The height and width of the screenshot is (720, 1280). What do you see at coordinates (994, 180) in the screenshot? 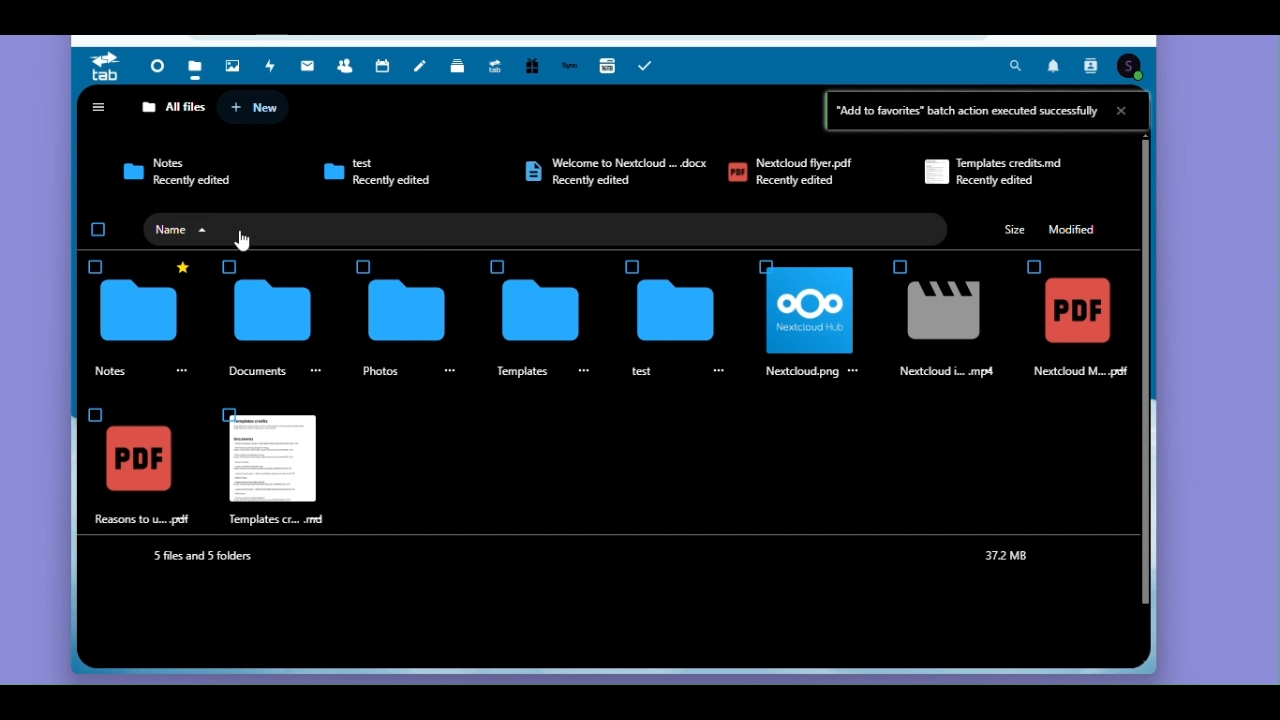
I see `Recently edited` at bounding box center [994, 180].